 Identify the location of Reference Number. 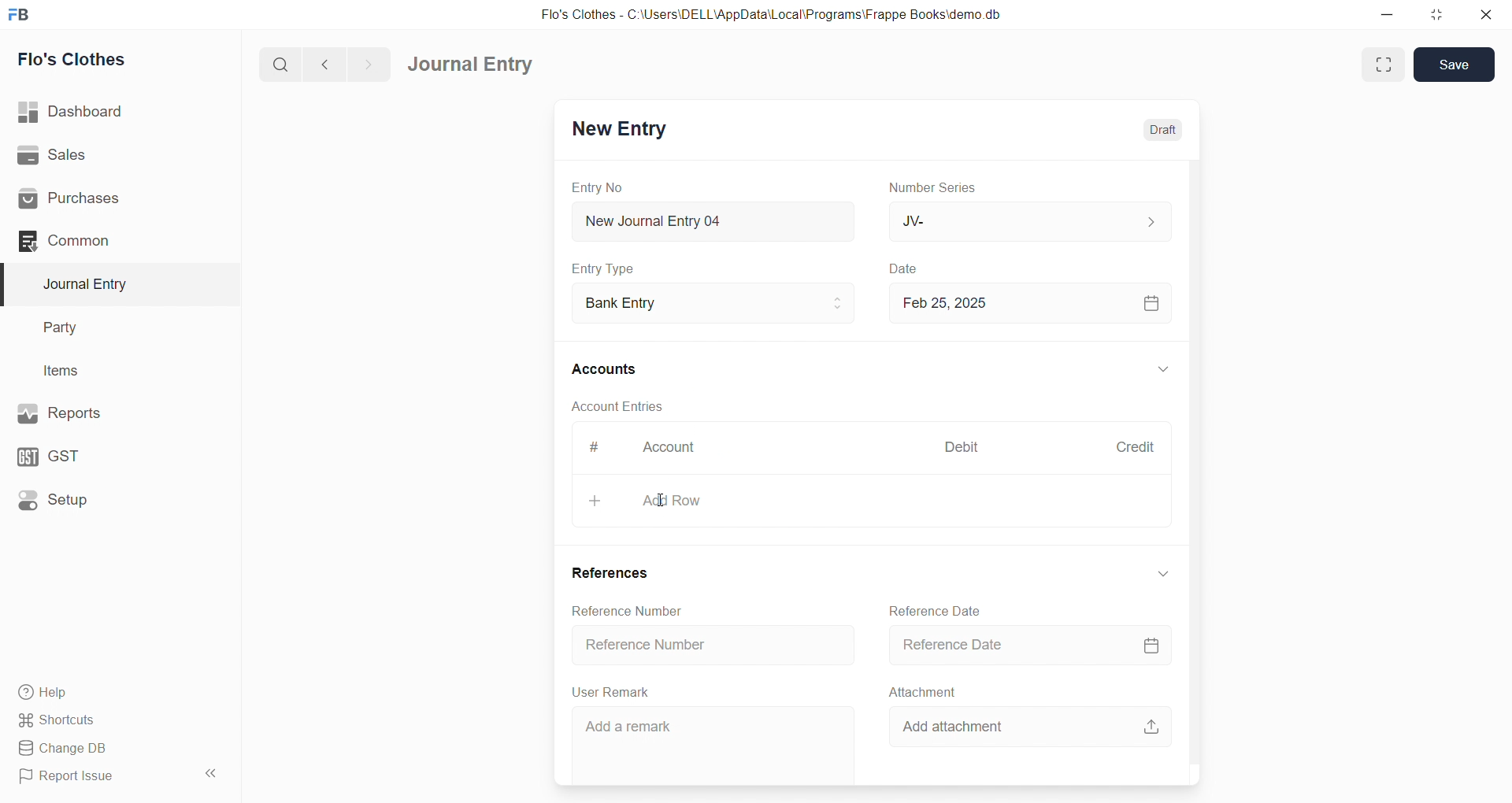
(715, 643).